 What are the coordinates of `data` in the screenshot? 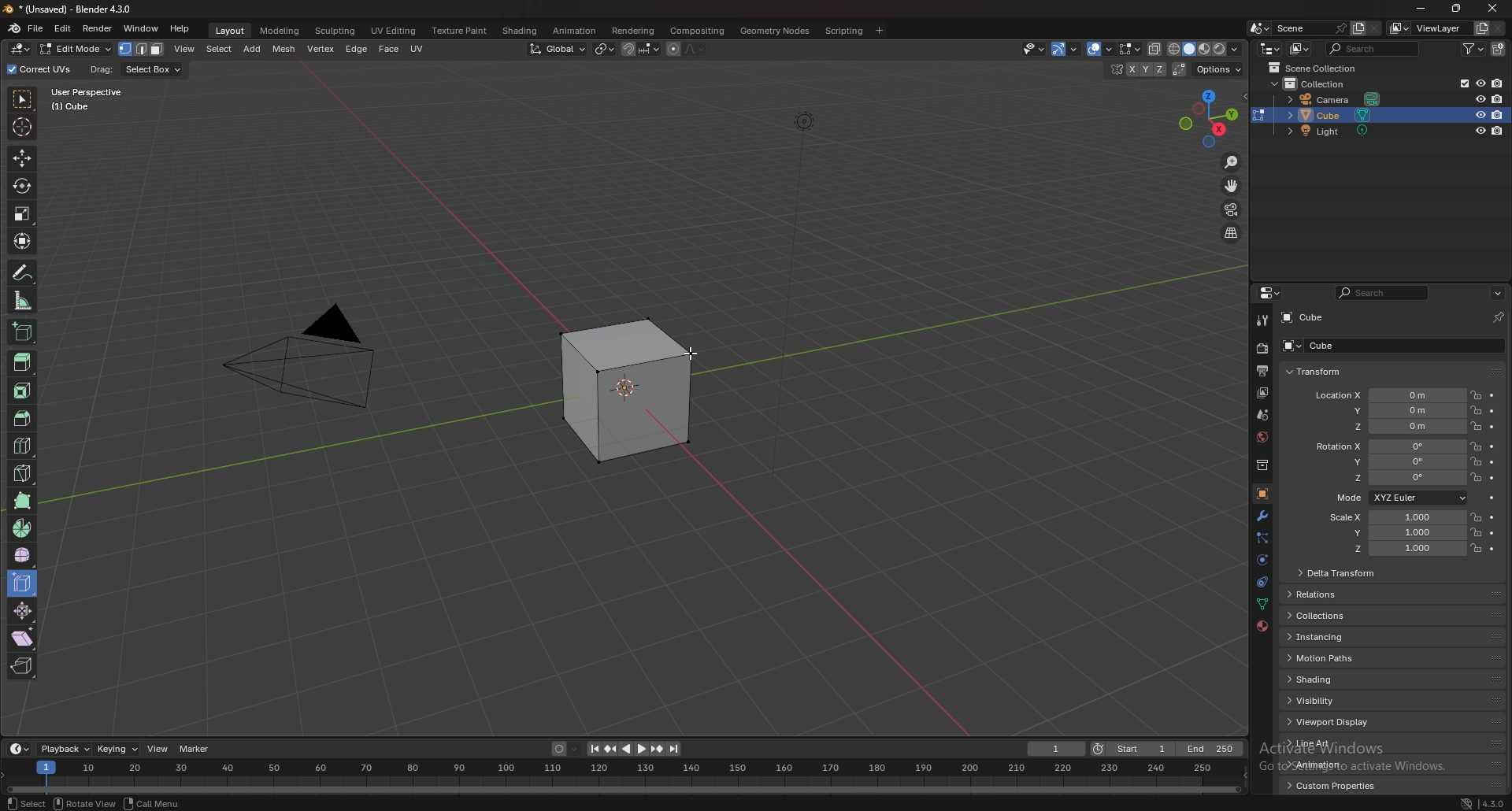 It's located at (1262, 604).